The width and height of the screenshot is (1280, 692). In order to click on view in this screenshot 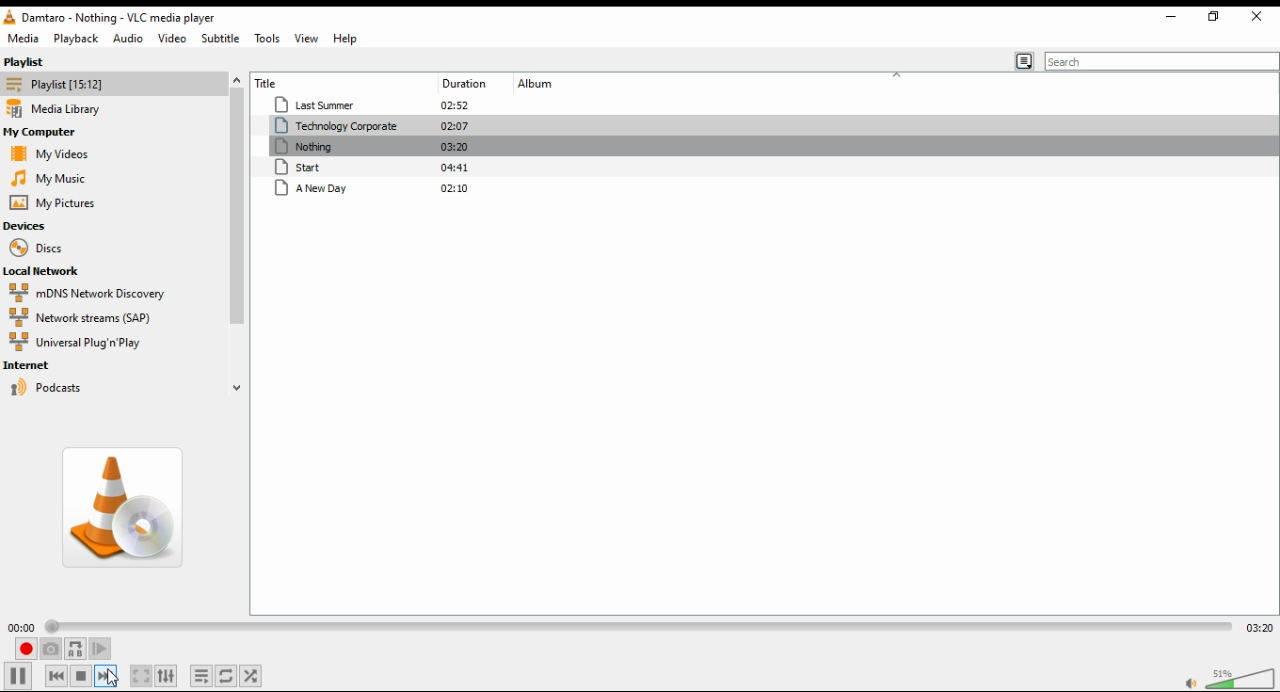, I will do `click(304, 38)`.